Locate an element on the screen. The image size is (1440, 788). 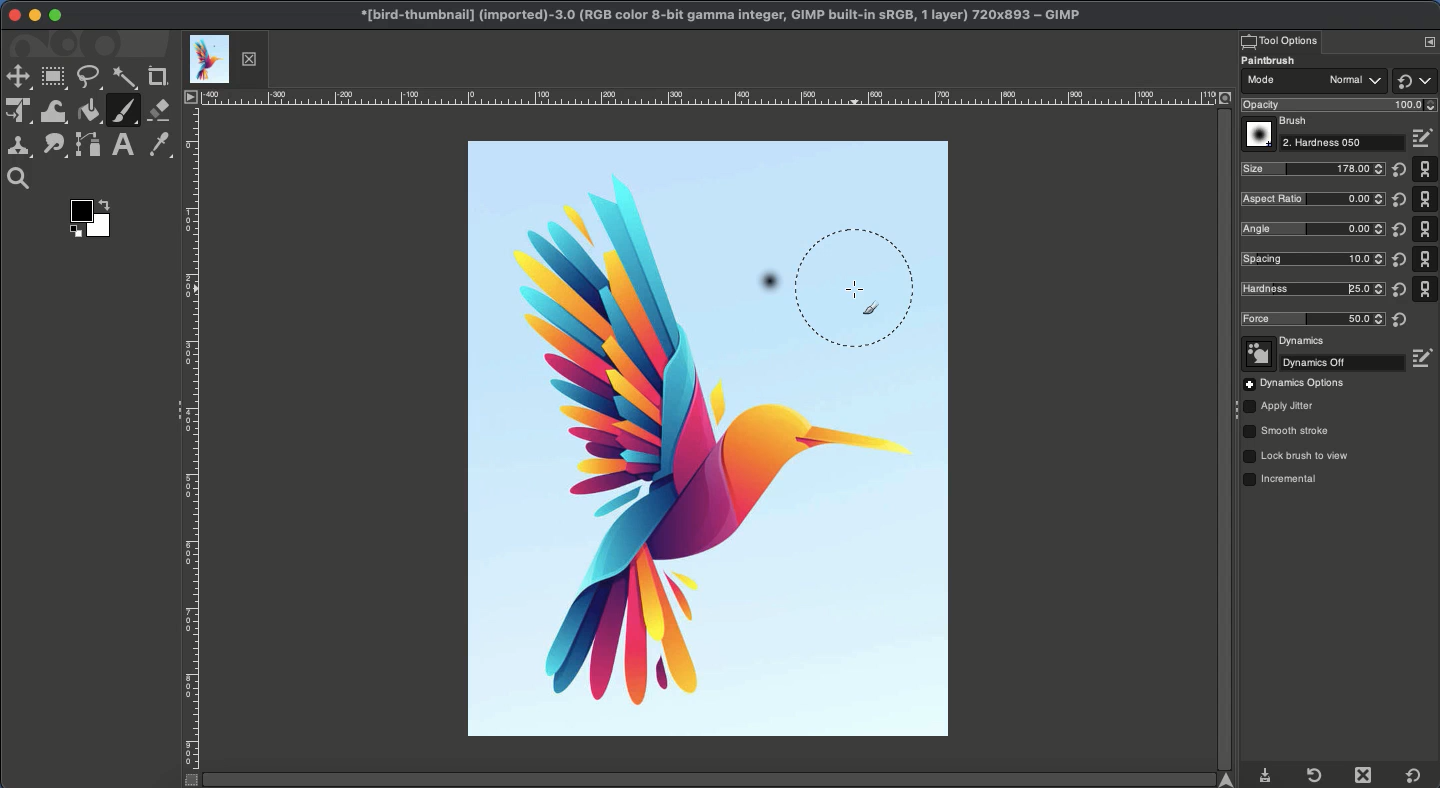
Close is located at coordinates (1367, 775).